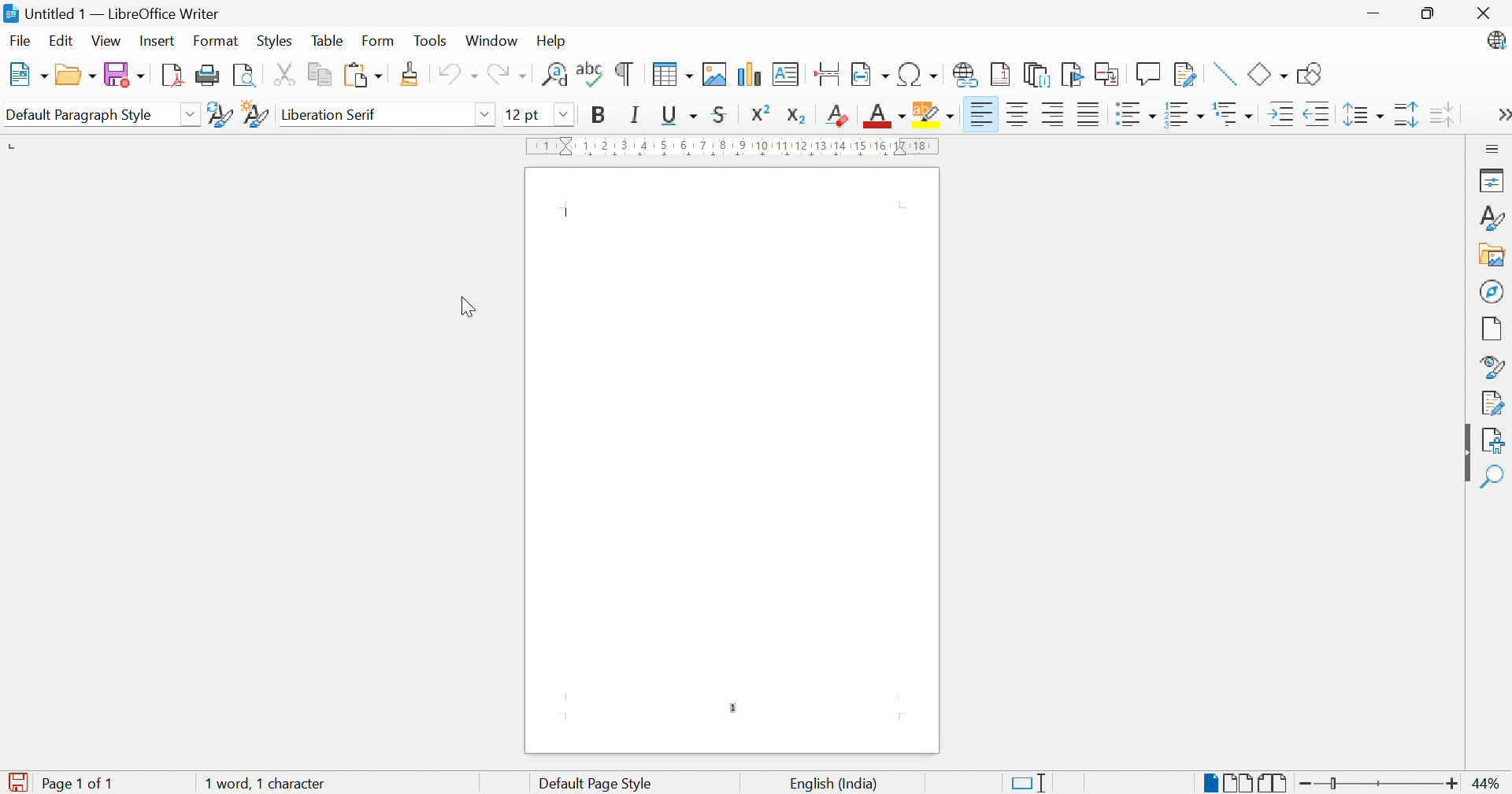 This screenshot has width=1512, height=794. Describe the element at coordinates (964, 75) in the screenshot. I see `Insert hyperlink` at that location.